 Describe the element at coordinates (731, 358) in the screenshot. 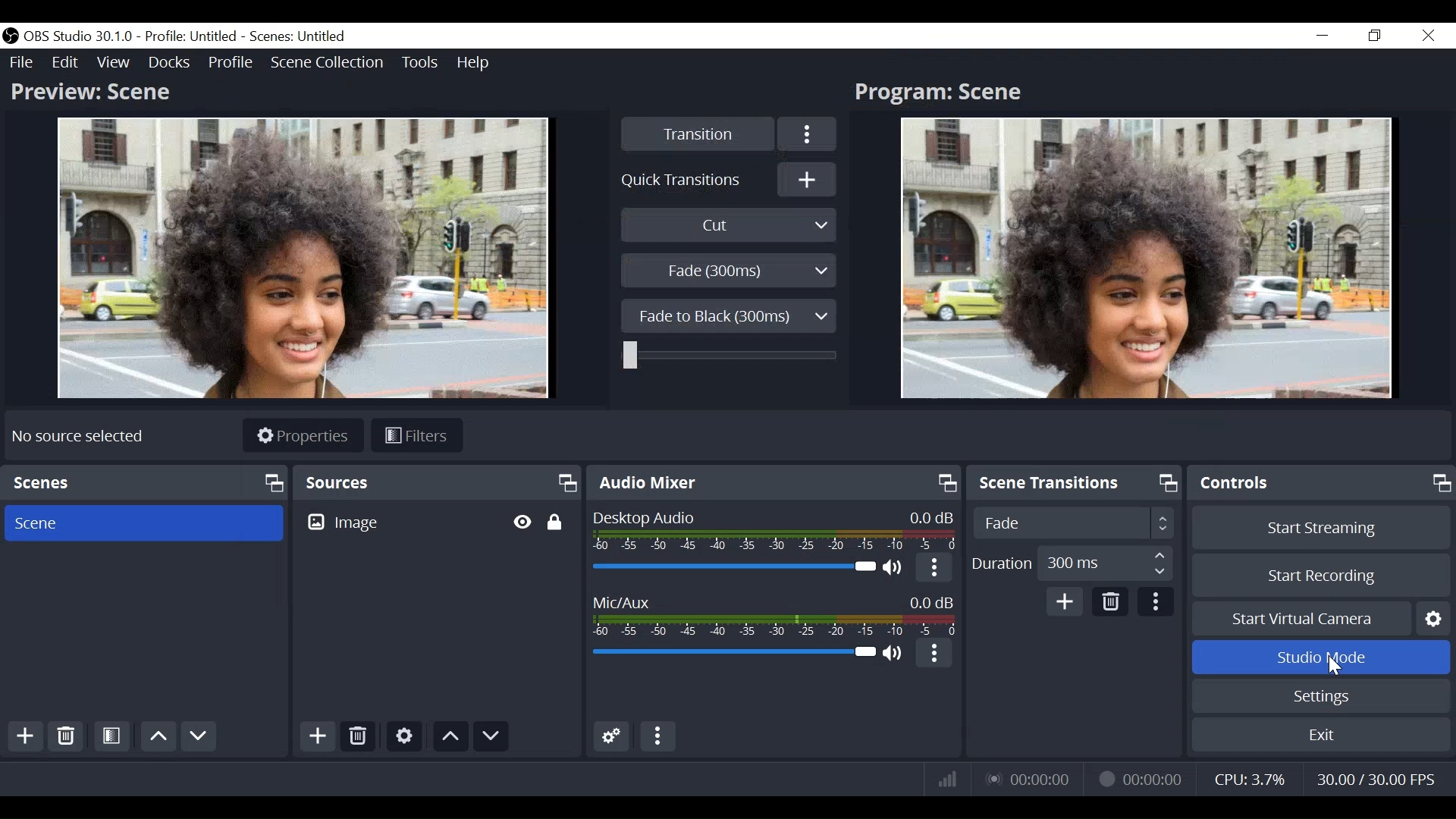

I see `Slider` at that location.